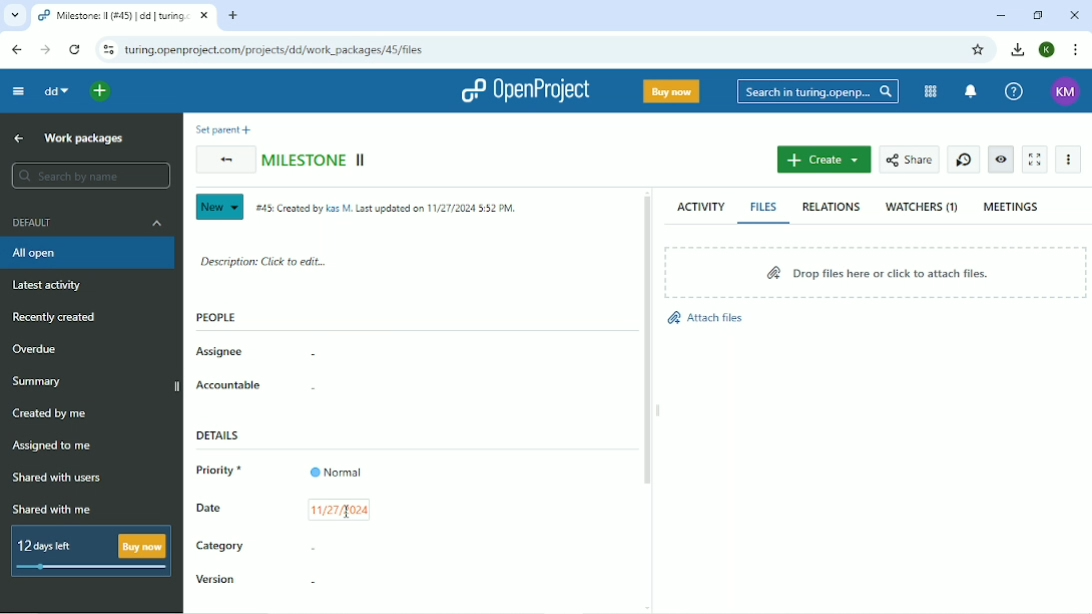  Describe the element at coordinates (824, 159) in the screenshot. I see `Create` at that location.